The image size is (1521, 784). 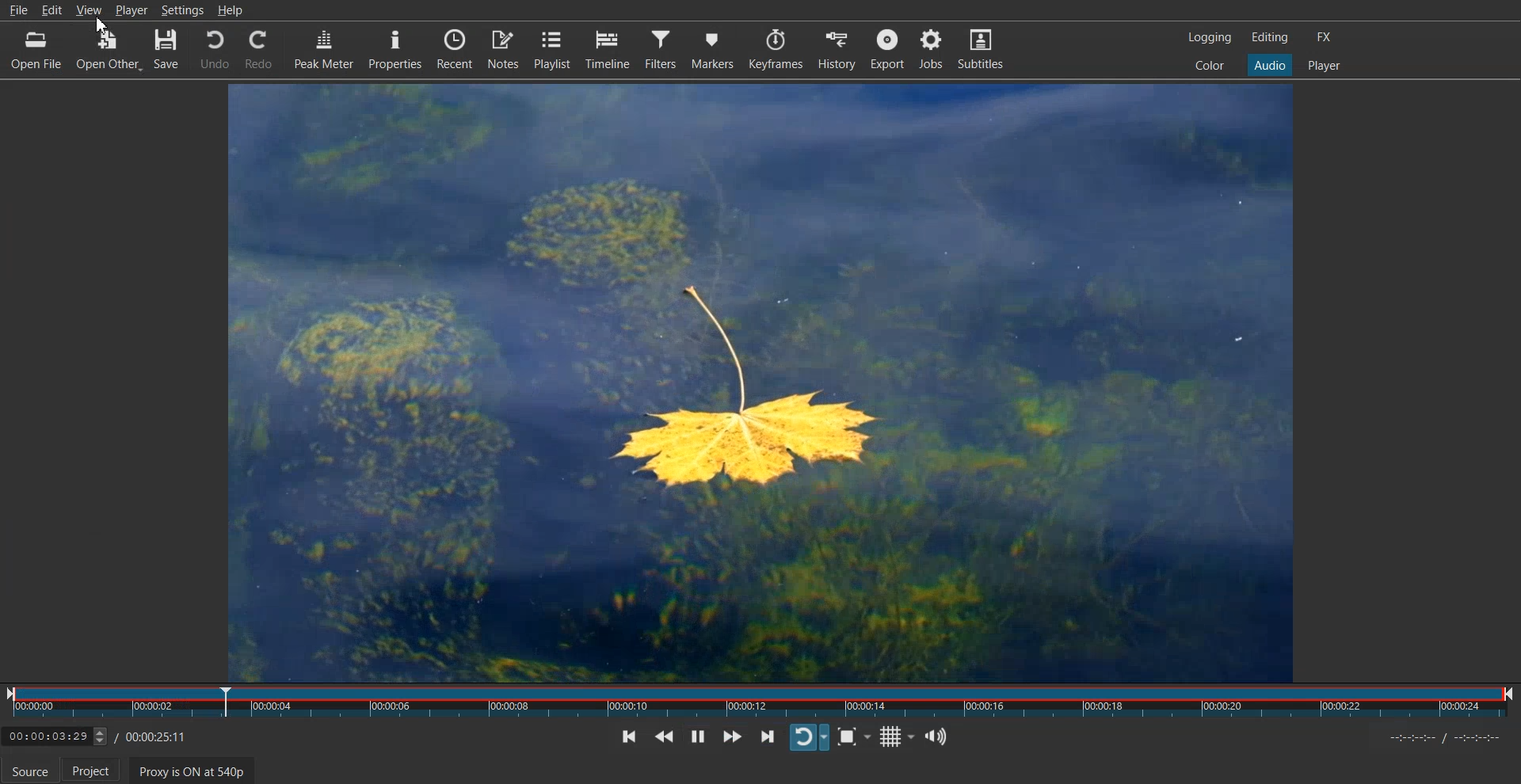 What do you see at coordinates (1322, 37) in the screenshot?
I see `FX` at bounding box center [1322, 37].